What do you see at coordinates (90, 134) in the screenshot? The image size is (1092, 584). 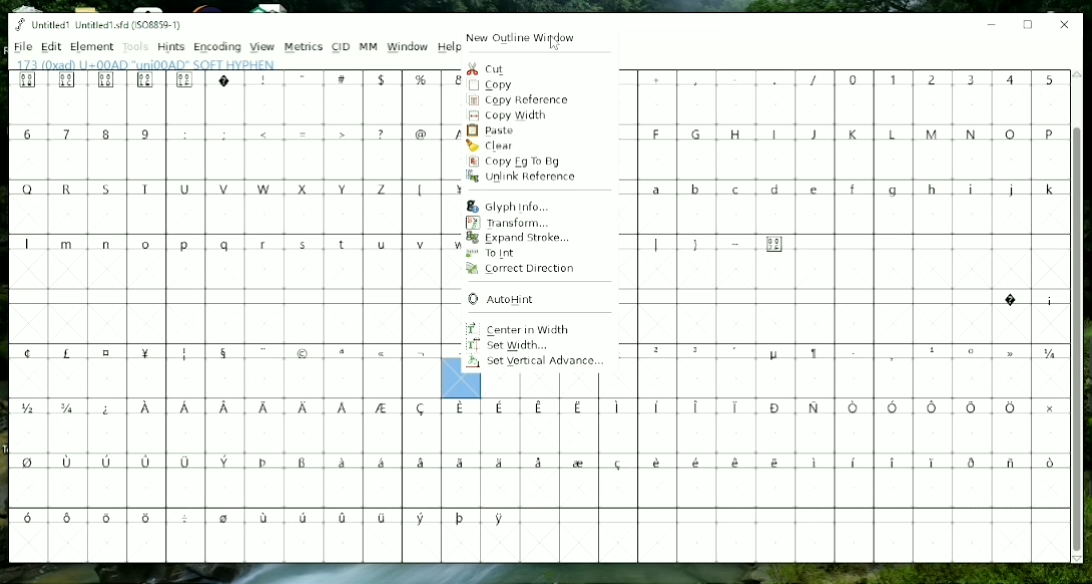 I see `Numbers` at bounding box center [90, 134].